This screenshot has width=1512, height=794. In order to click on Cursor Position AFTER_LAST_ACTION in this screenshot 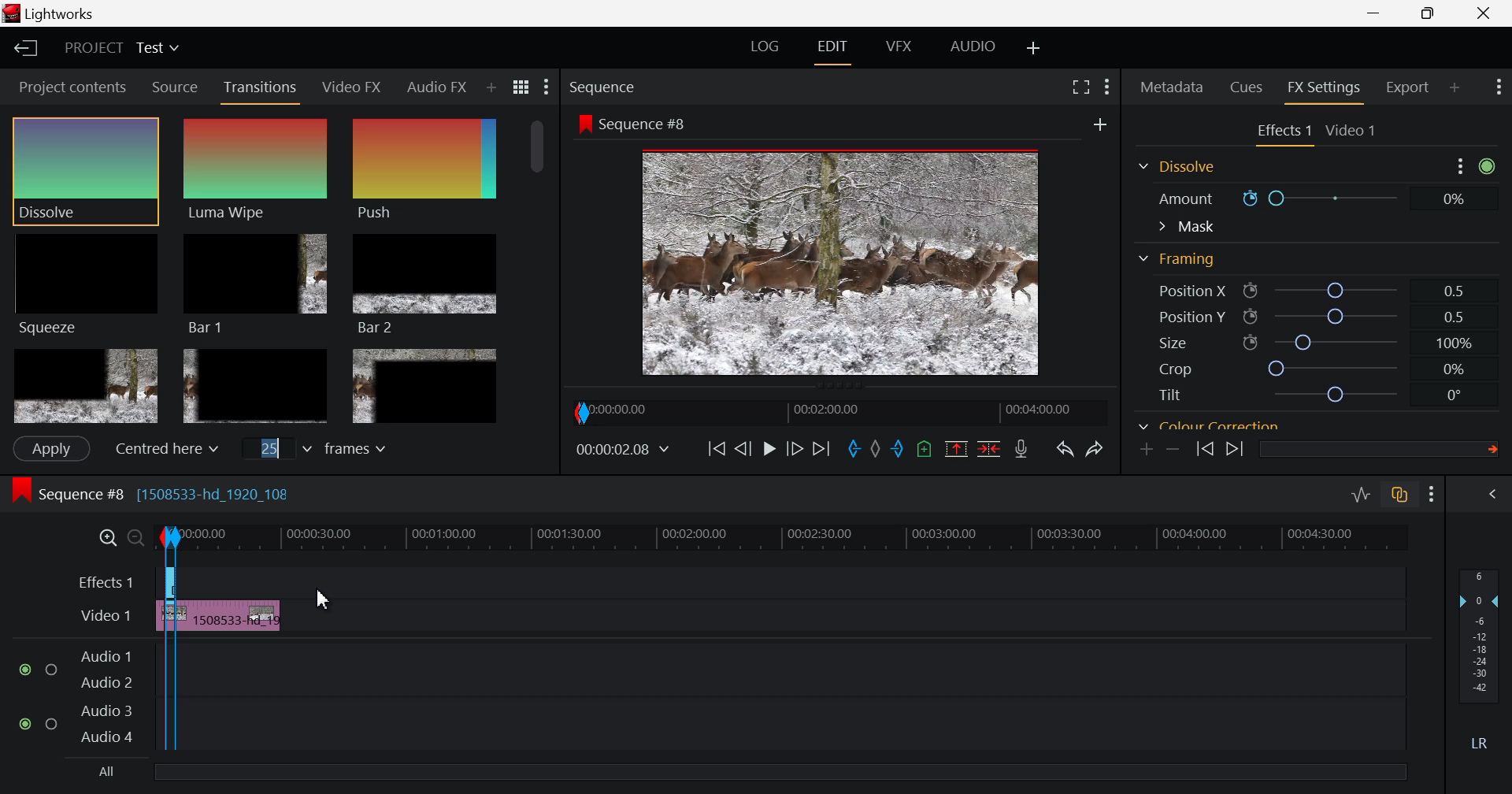, I will do `click(346, 599)`.